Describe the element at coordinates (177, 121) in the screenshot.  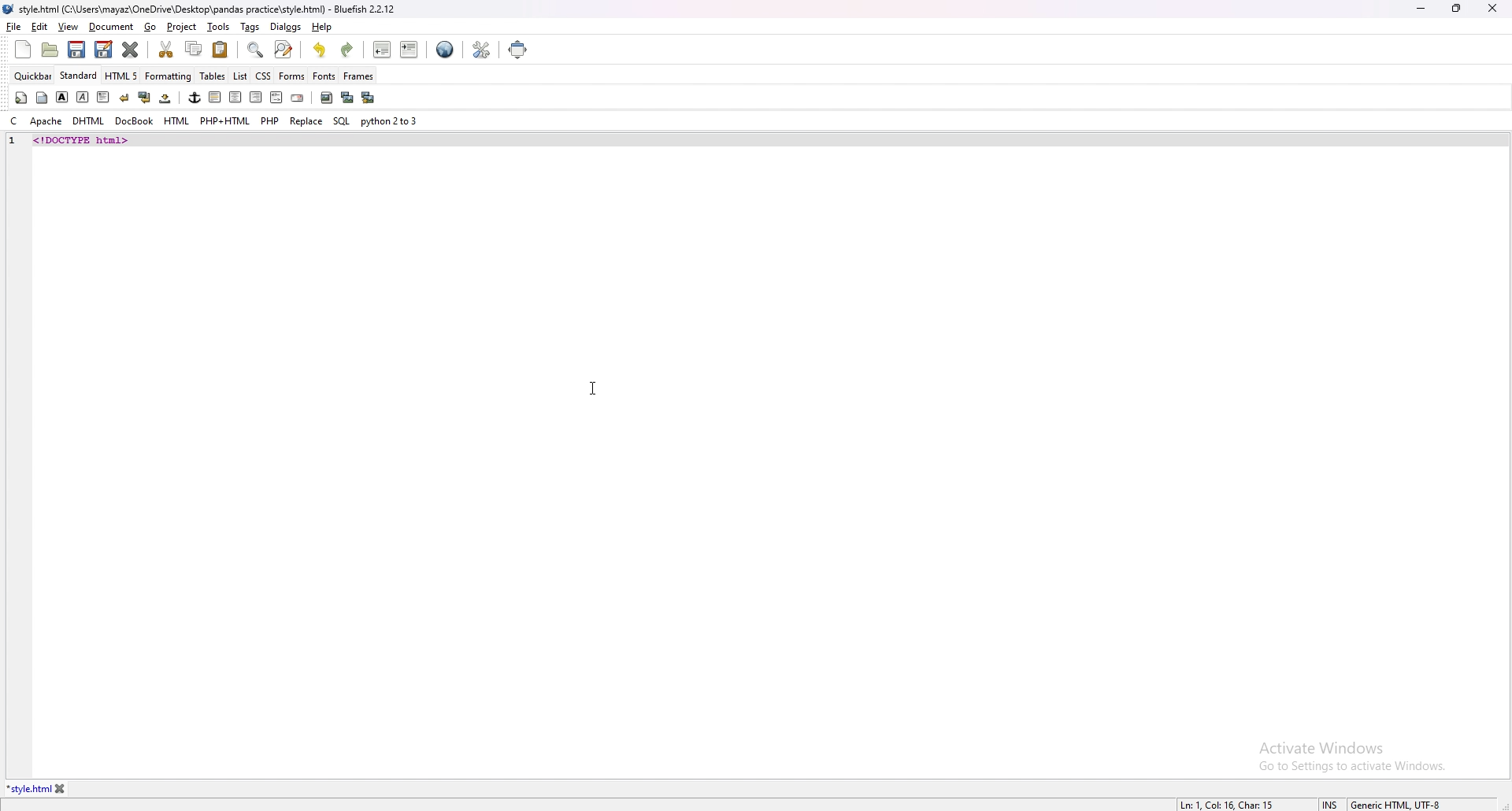
I see `html` at that location.